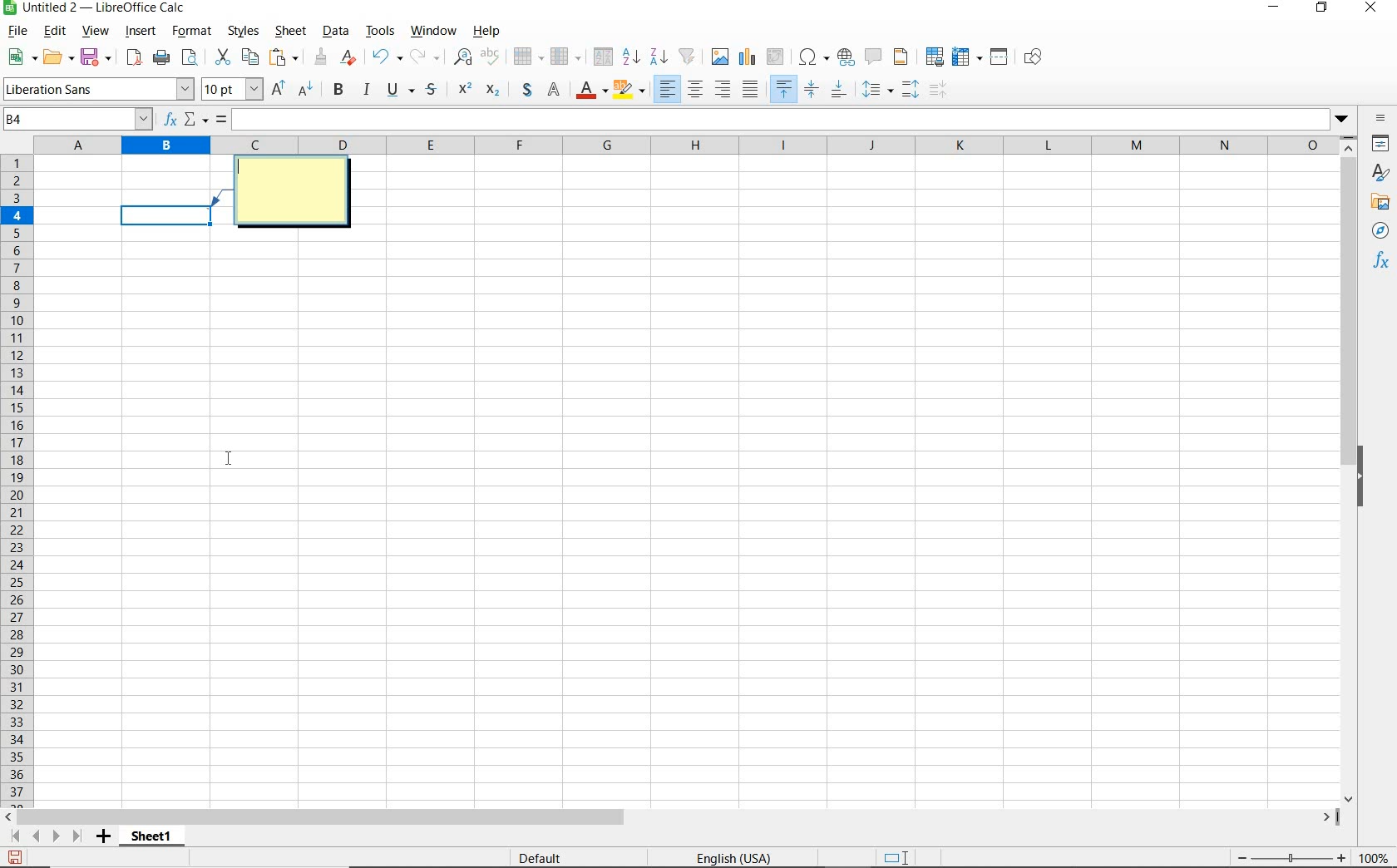  What do you see at coordinates (55, 31) in the screenshot?
I see `edit` at bounding box center [55, 31].